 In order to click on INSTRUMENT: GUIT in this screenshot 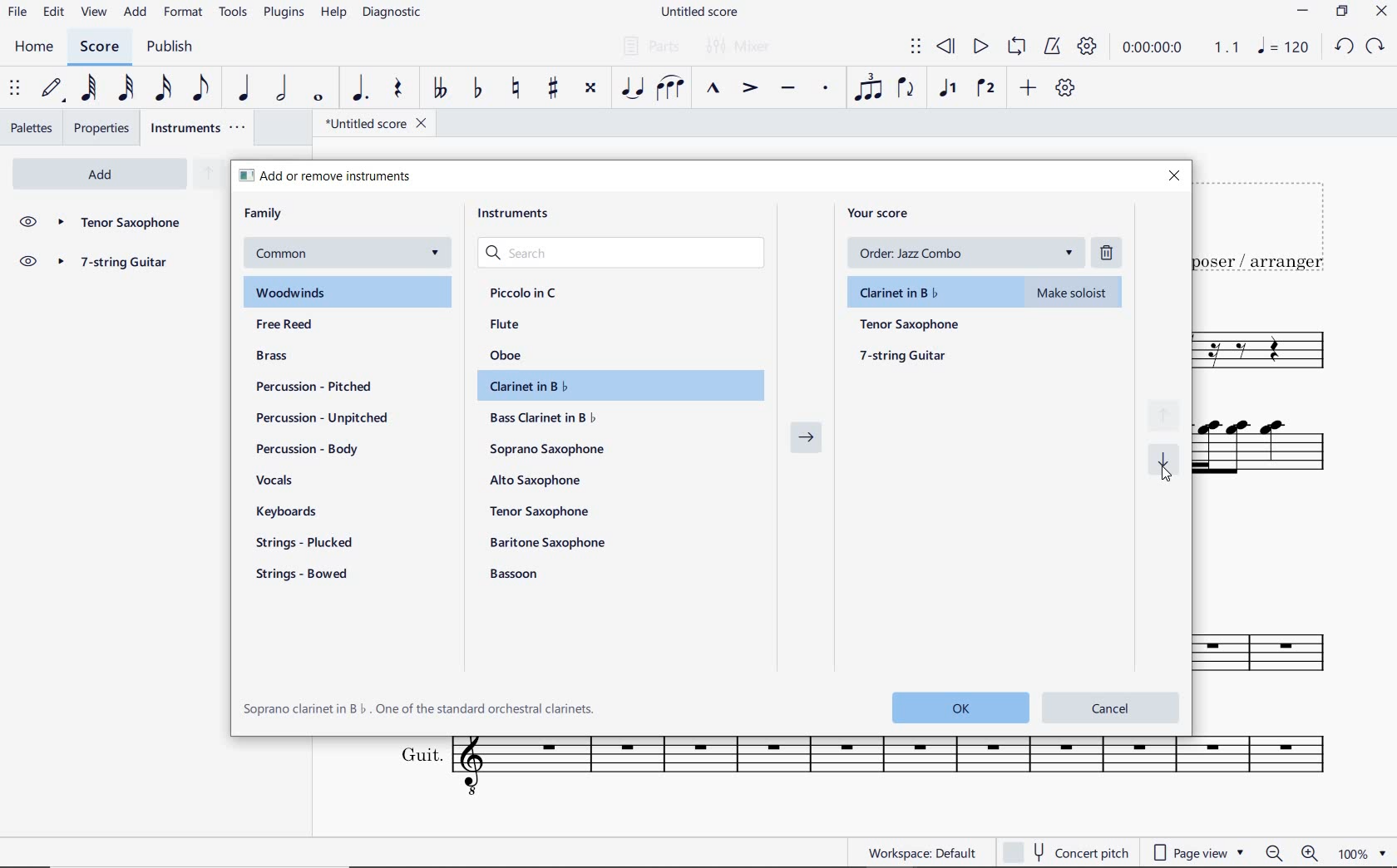, I will do `click(853, 769)`.